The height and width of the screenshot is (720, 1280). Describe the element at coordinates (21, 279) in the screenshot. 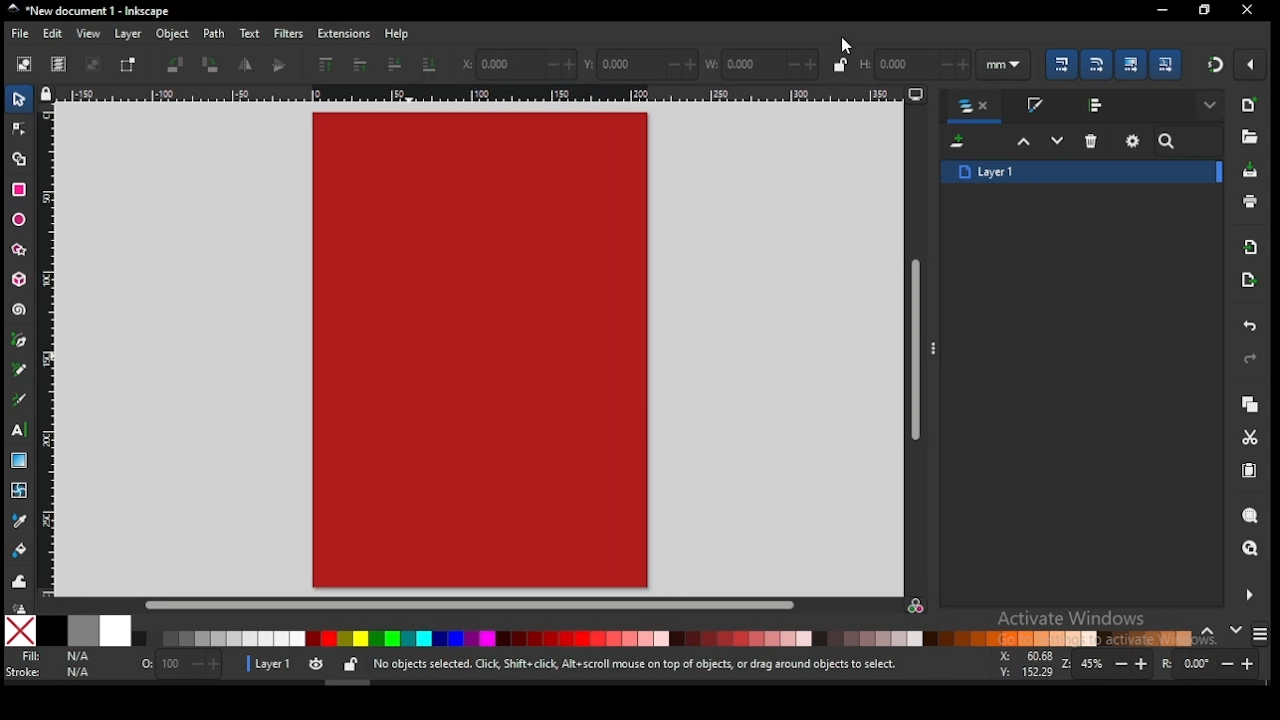

I see `3D box tool` at that location.